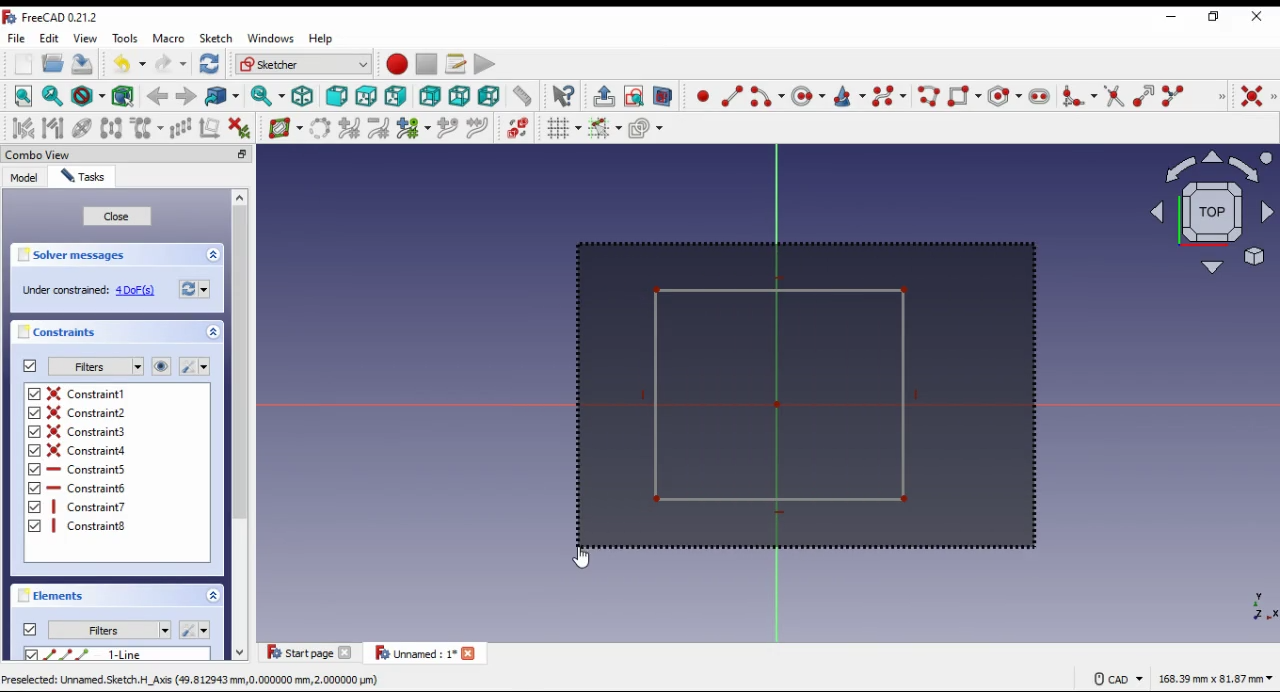 Image resolution: width=1280 pixels, height=692 pixels. Describe the element at coordinates (523, 95) in the screenshot. I see `measure distance` at that location.